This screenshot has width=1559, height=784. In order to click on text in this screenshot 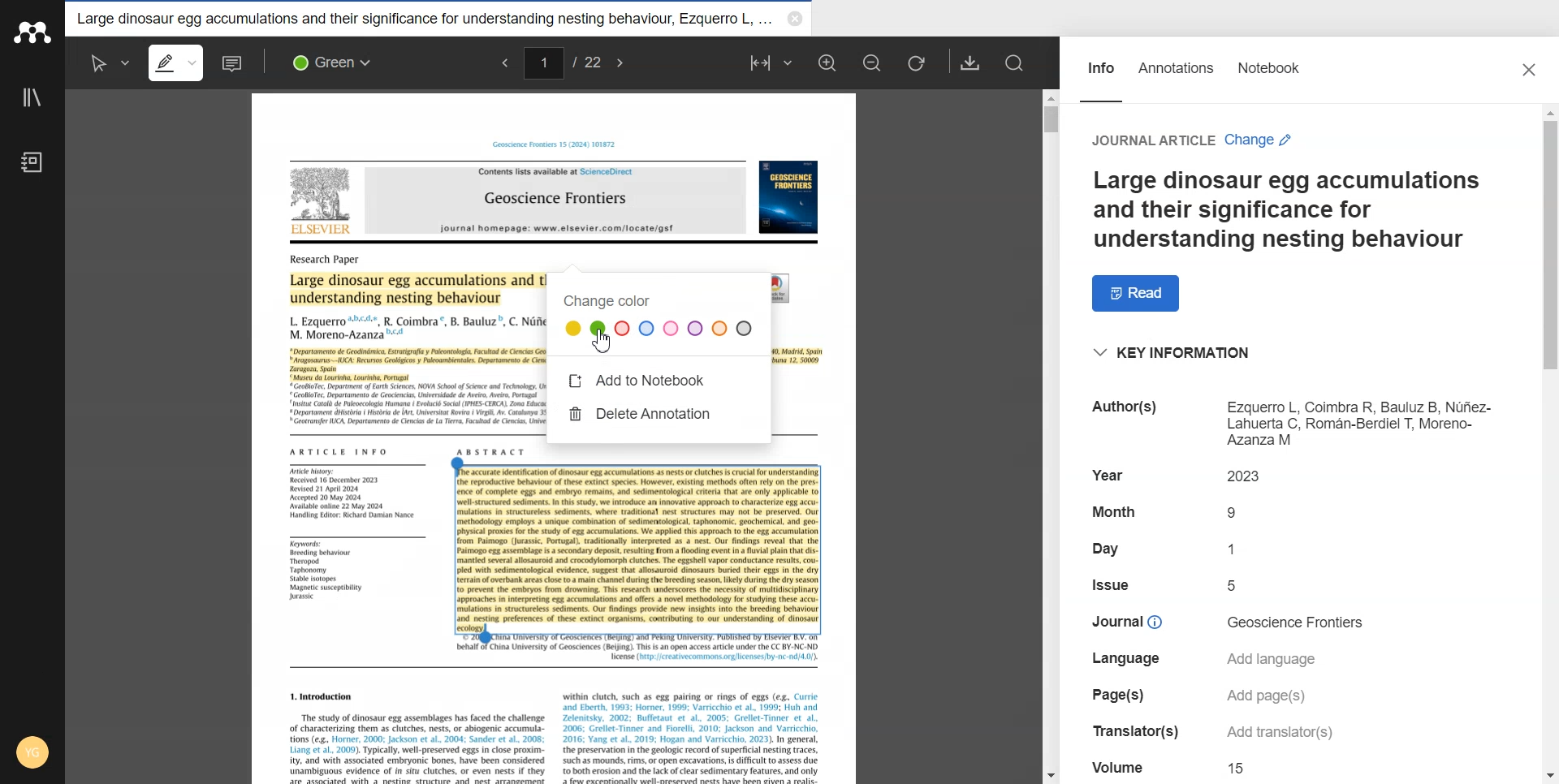, I will do `click(557, 736)`.